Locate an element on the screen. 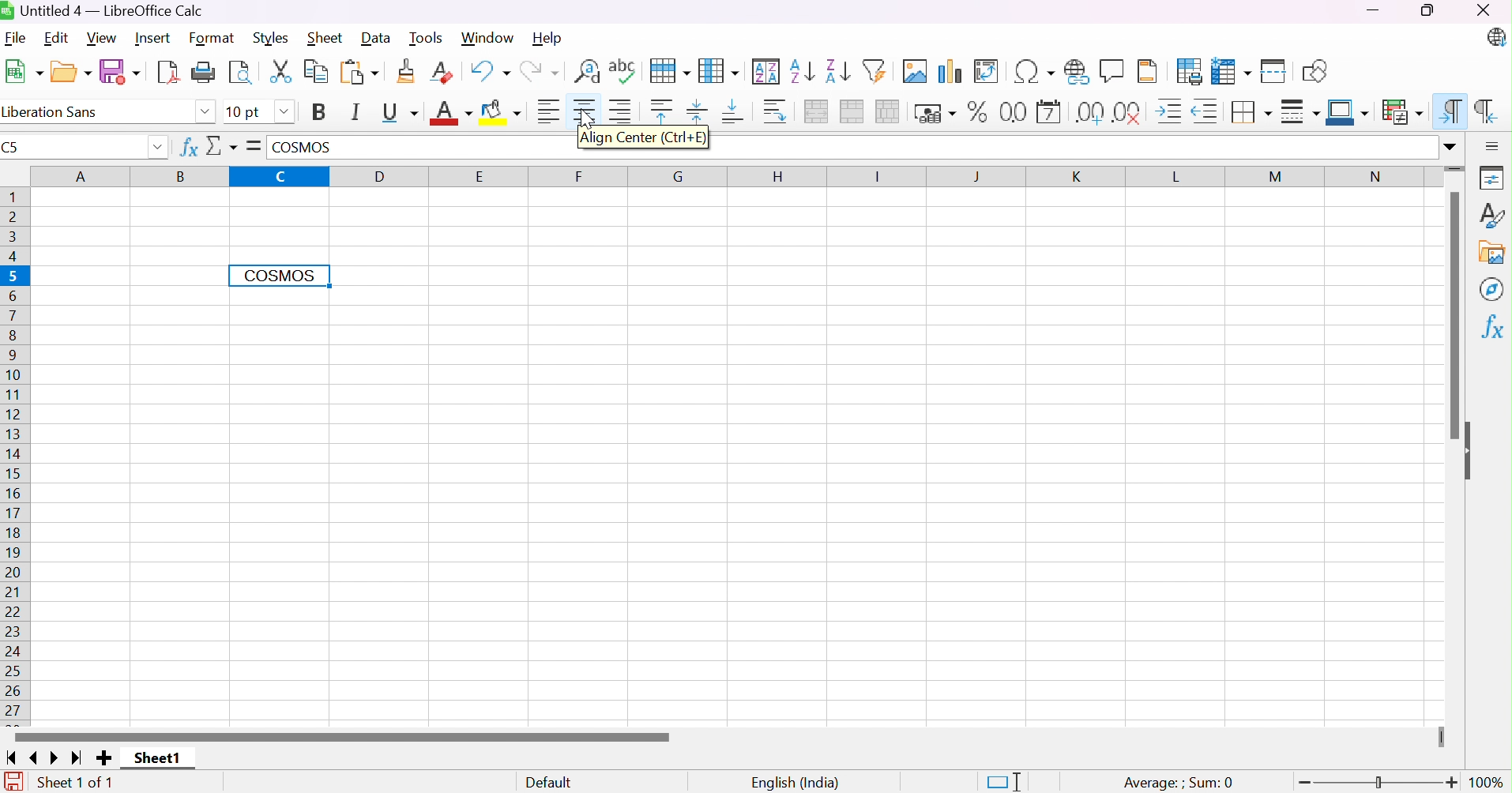  Sort Descending is located at coordinates (837, 71).